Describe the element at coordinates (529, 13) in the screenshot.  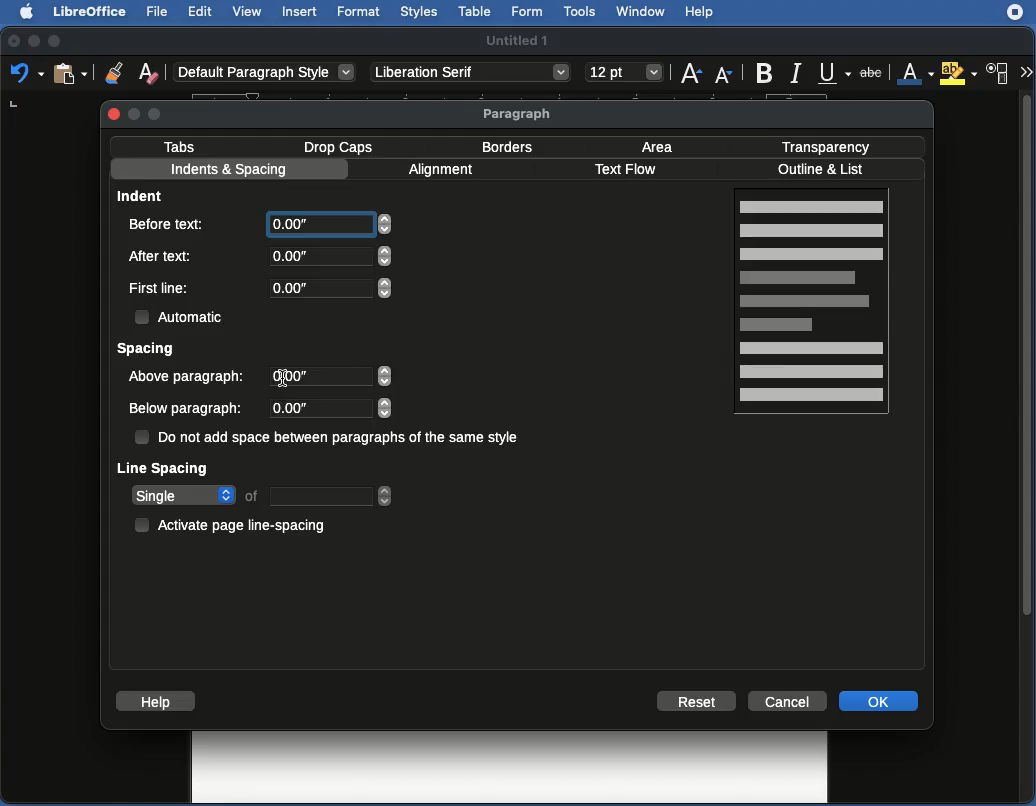
I see `Form` at that location.